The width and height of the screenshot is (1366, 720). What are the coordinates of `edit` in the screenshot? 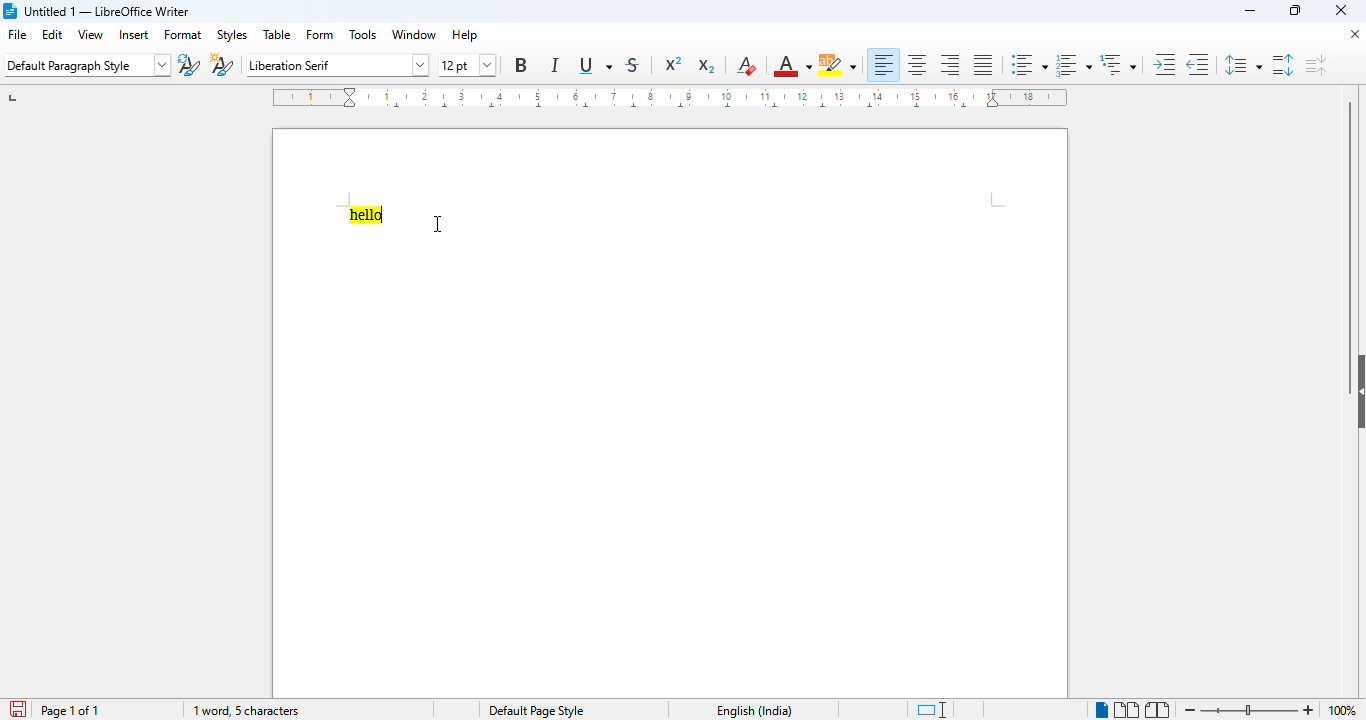 It's located at (53, 34).